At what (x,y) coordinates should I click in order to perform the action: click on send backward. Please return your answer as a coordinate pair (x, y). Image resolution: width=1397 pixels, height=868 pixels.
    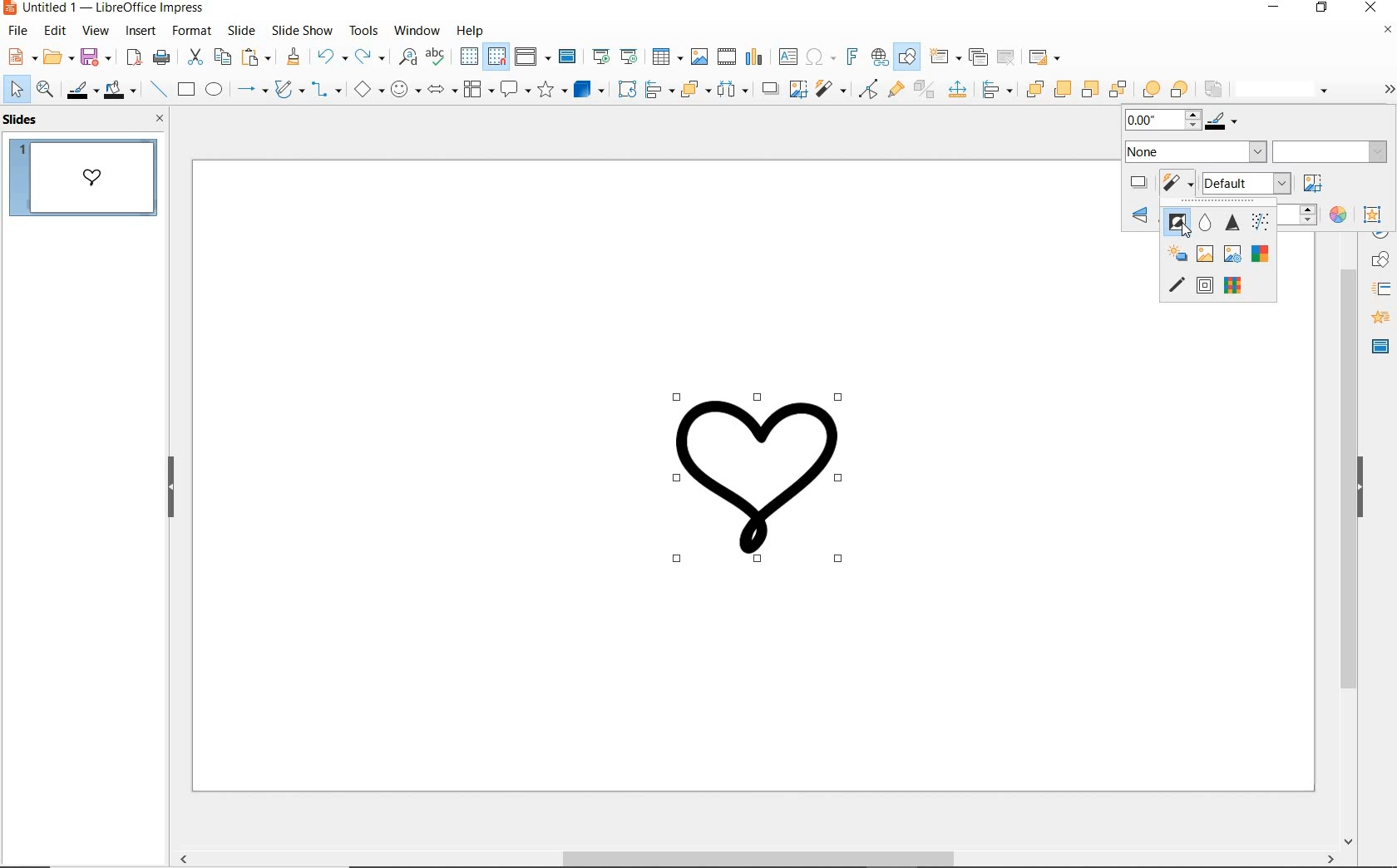
    Looking at the image, I should click on (1088, 90).